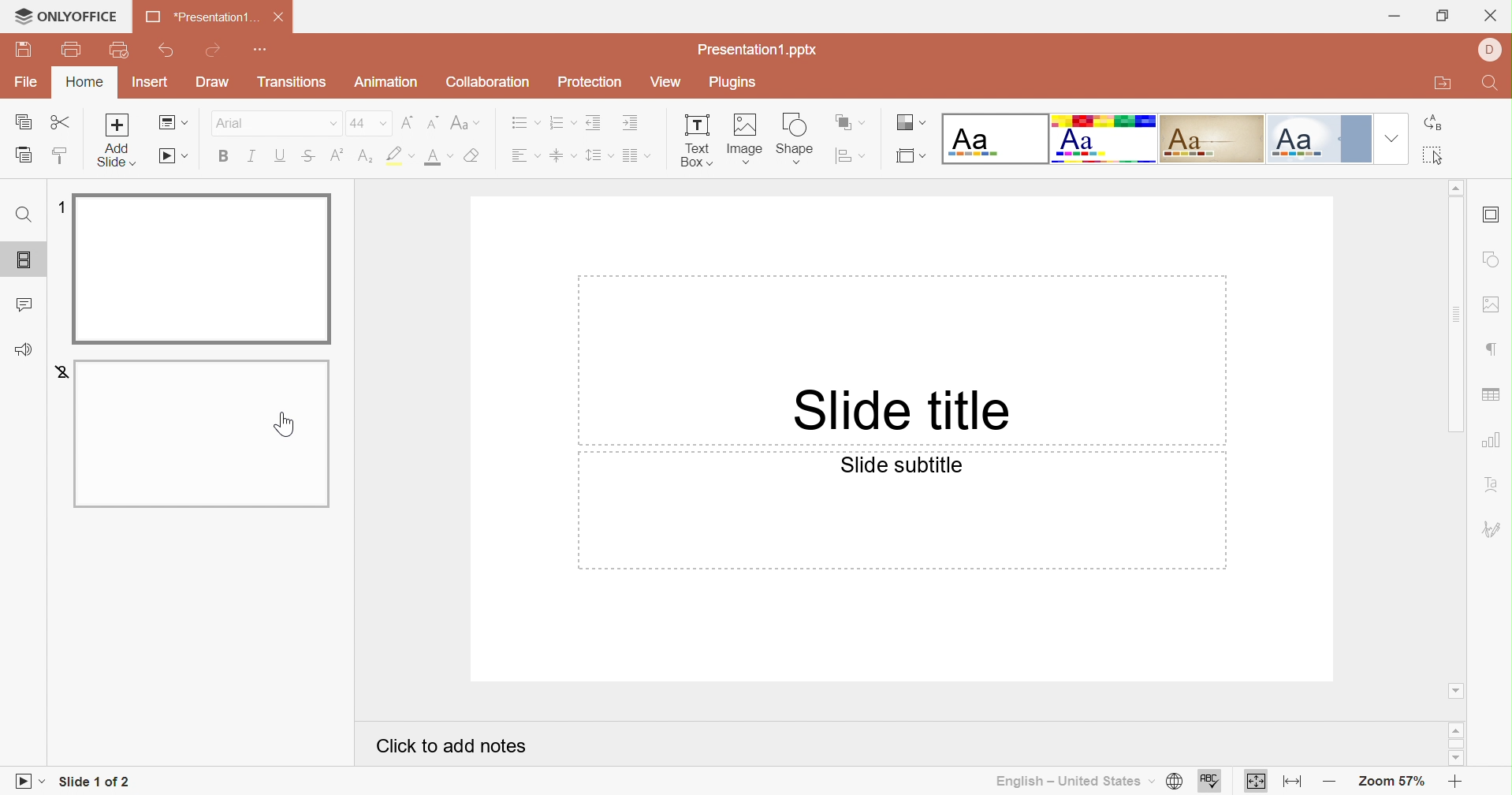 The width and height of the screenshot is (1512, 795). I want to click on Zoom out, so click(1329, 785).